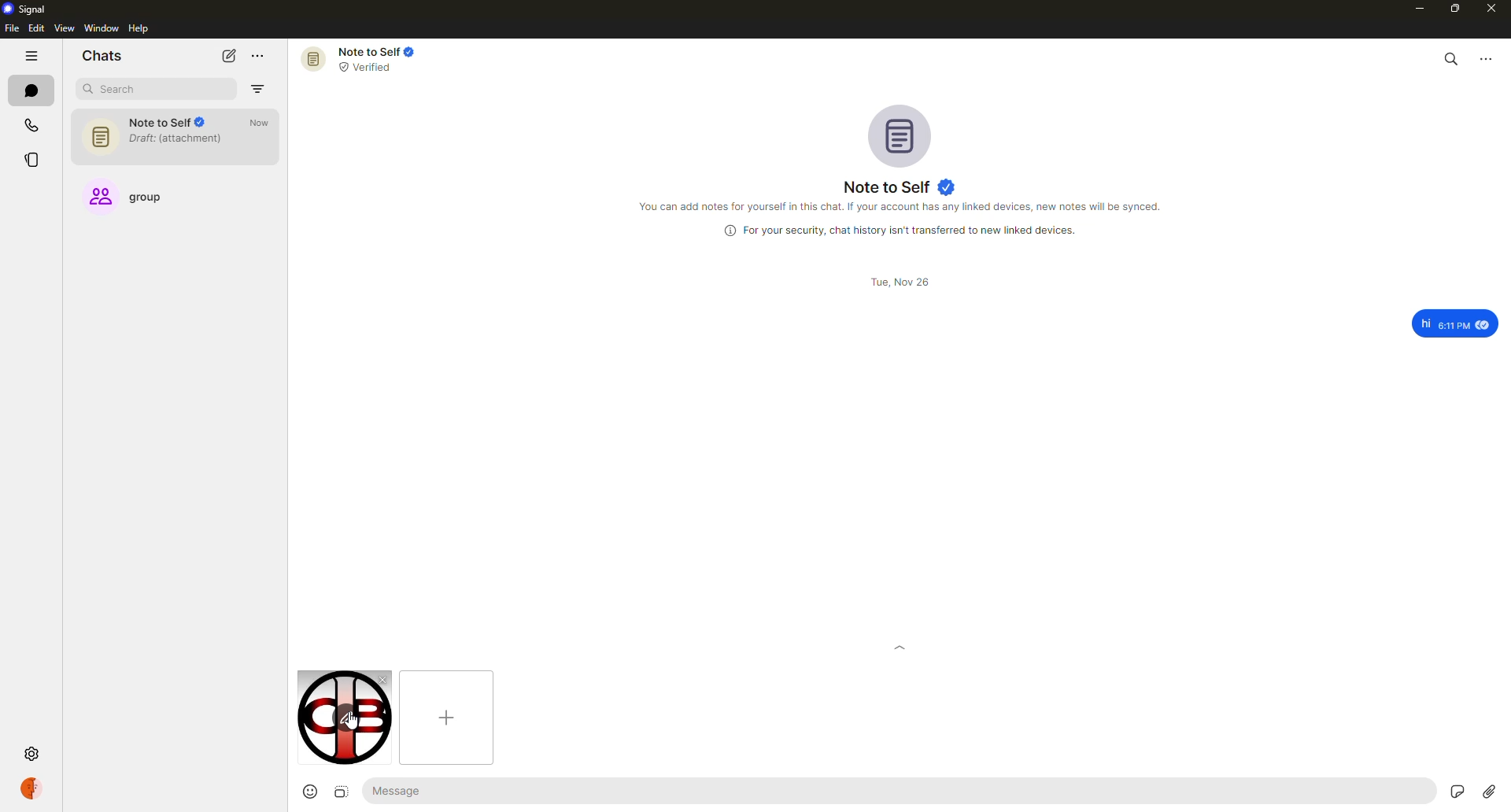  I want to click on search, so click(128, 90).